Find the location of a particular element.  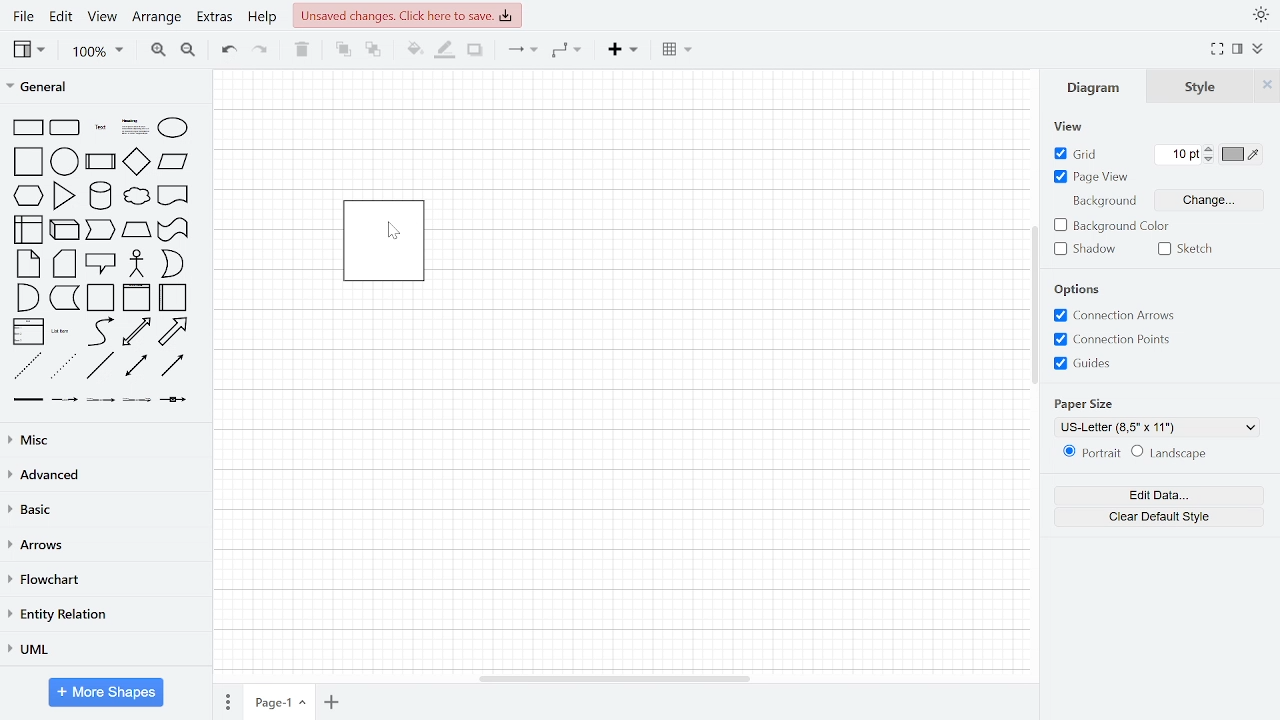

advanced is located at coordinates (103, 475).